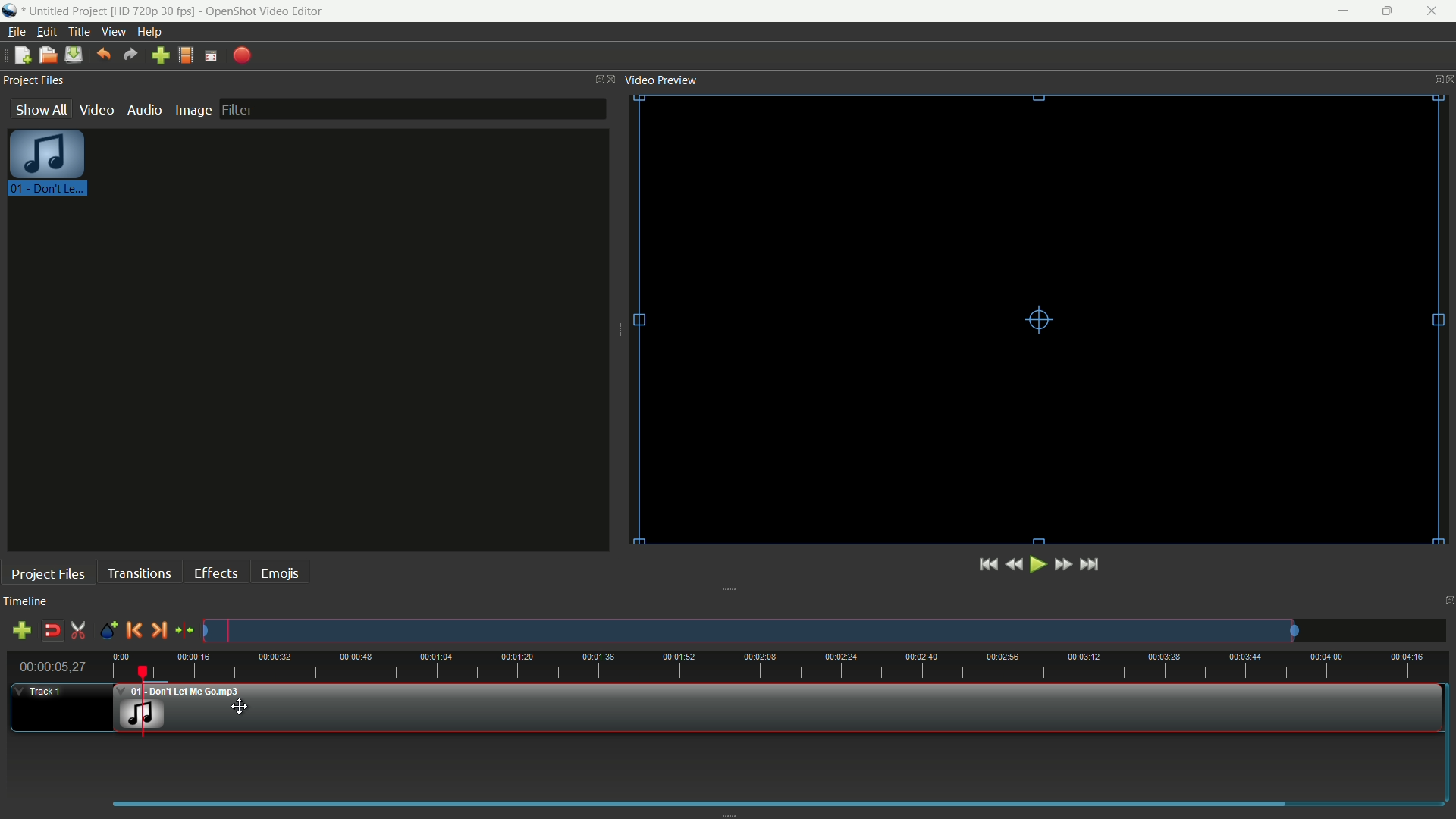  I want to click on save file, so click(74, 55).